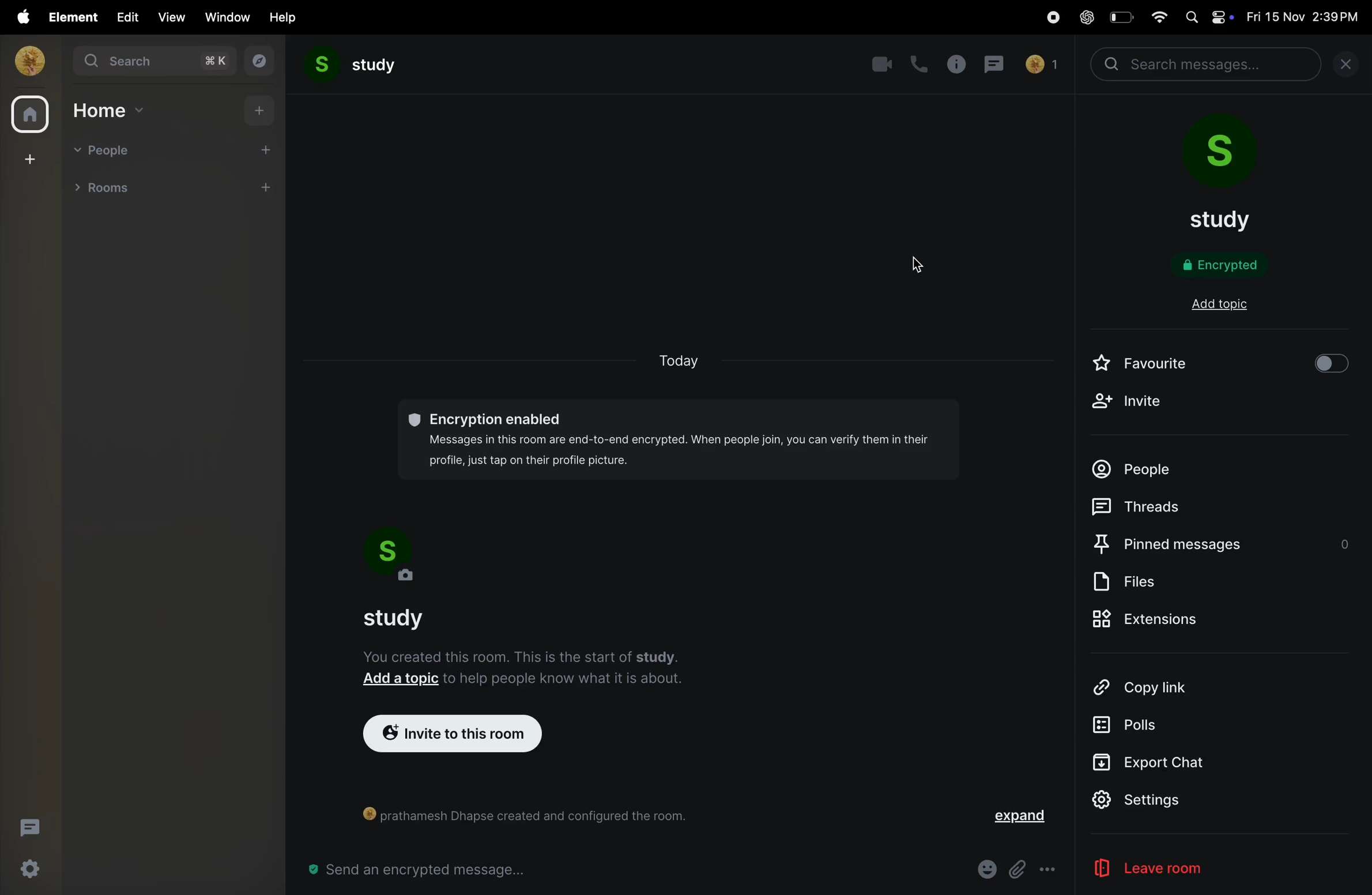 This screenshot has width=1372, height=895. What do you see at coordinates (923, 265) in the screenshot?
I see `cursor` at bounding box center [923, 265].